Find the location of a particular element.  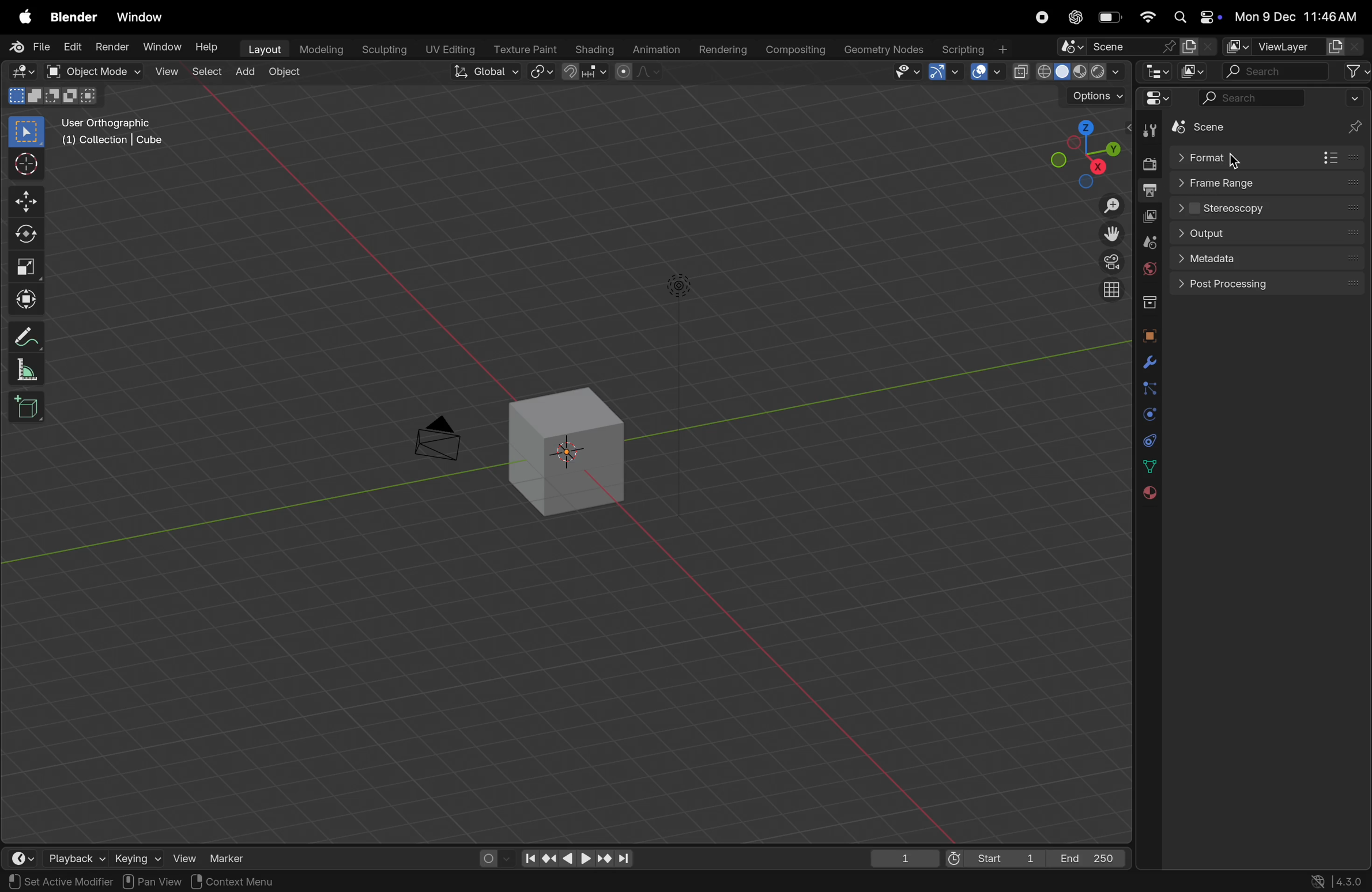

filter is located at coordinates (1358, 72).